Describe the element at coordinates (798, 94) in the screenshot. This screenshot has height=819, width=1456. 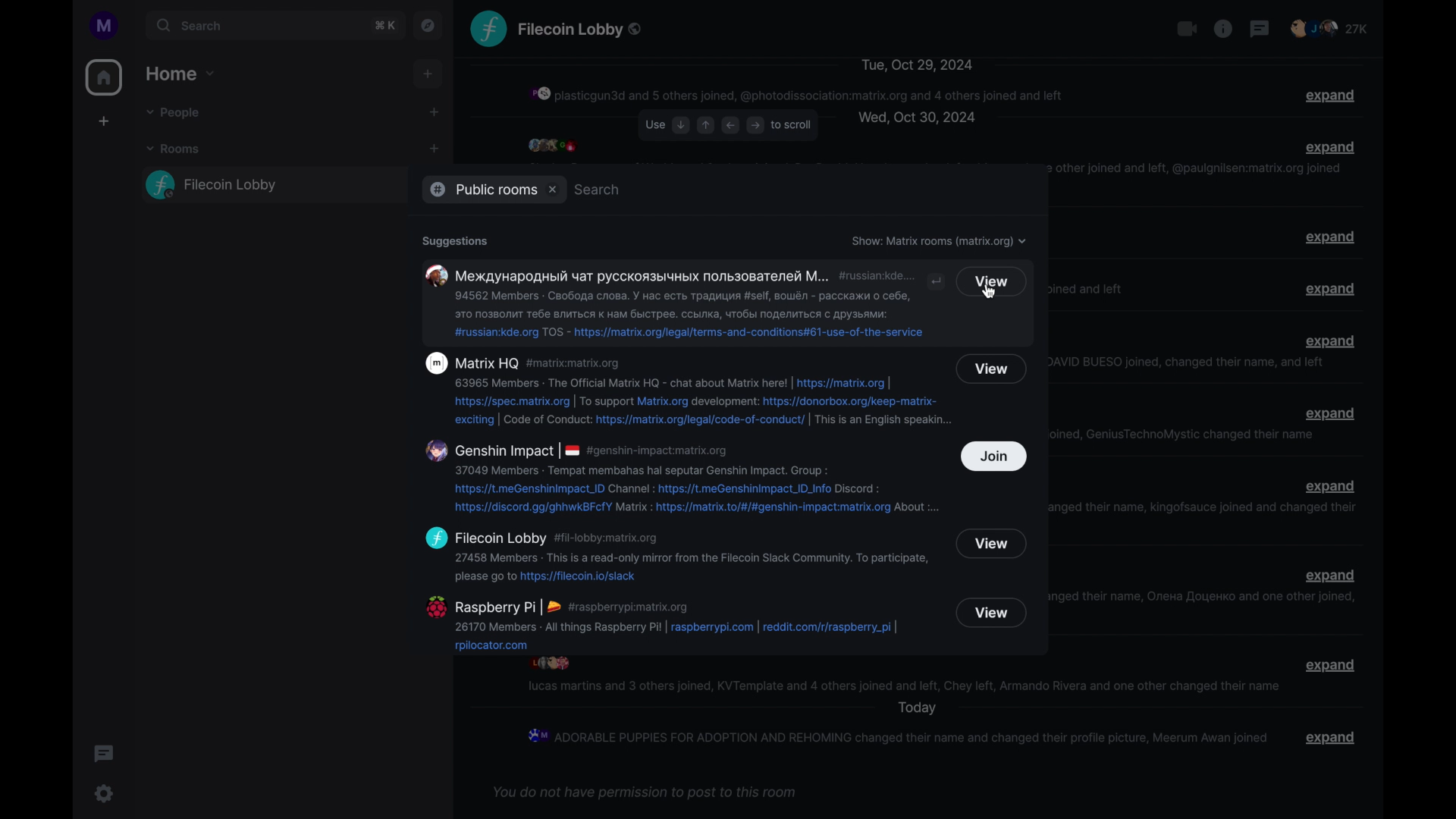
I see `plasticqun3d and 5 others joined, @photodissociation:matrix.org and 4 others joined and left` at that location.